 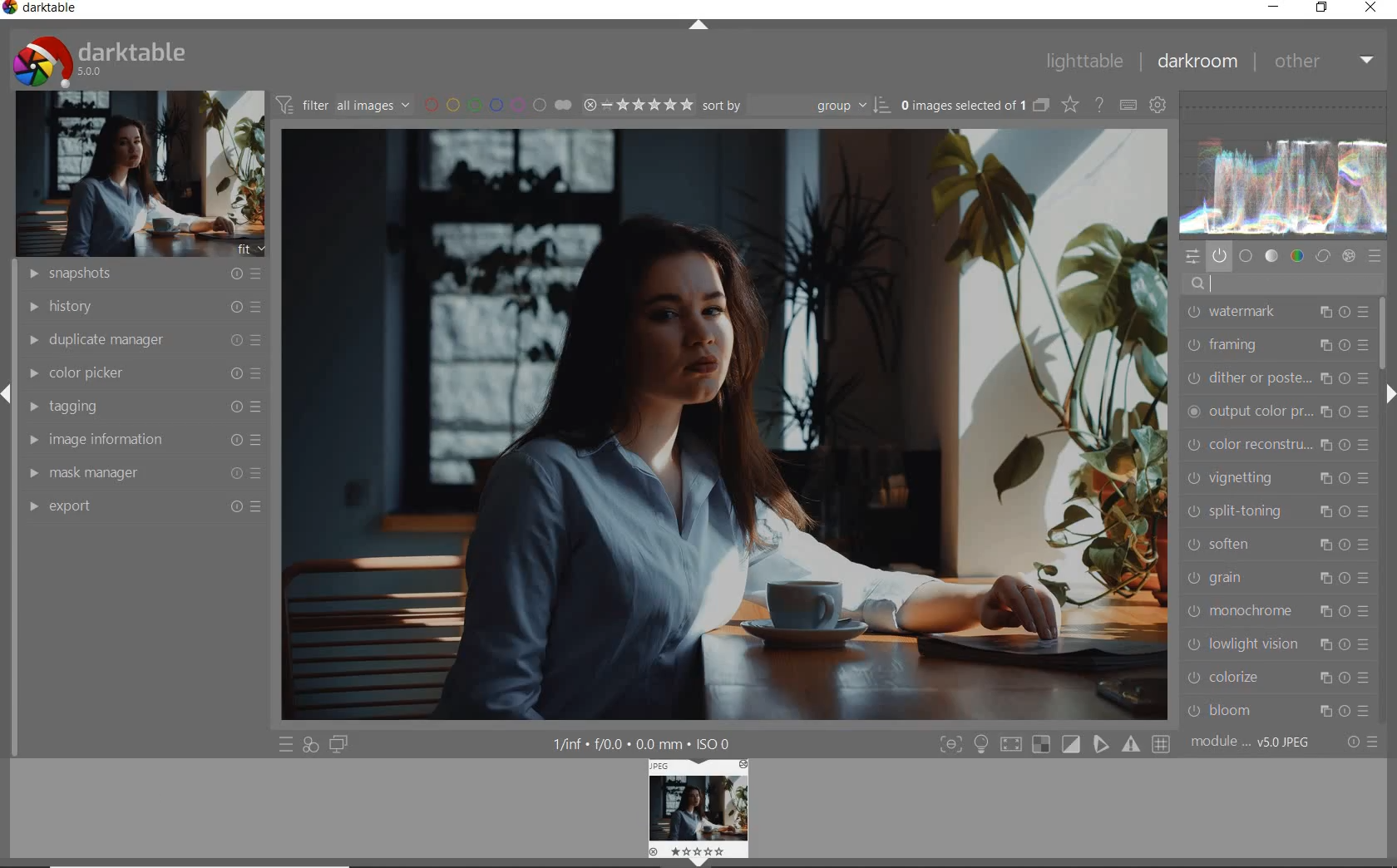 What do you see at coordinates (1158, 106) in the screenshot?
I see `show global preferences` at bounding box center [1158, 106].